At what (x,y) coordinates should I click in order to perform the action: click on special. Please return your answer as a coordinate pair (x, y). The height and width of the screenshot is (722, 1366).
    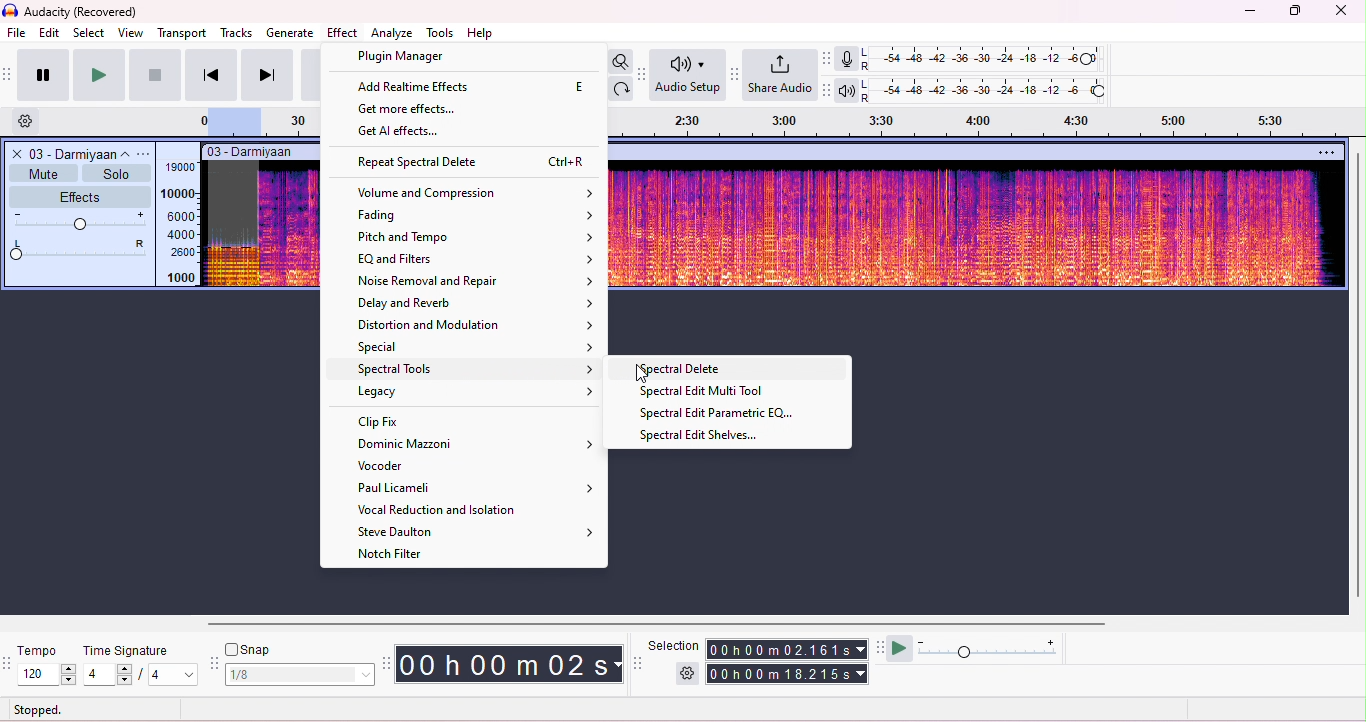
    Looking at the image, I should click on (477, 348).